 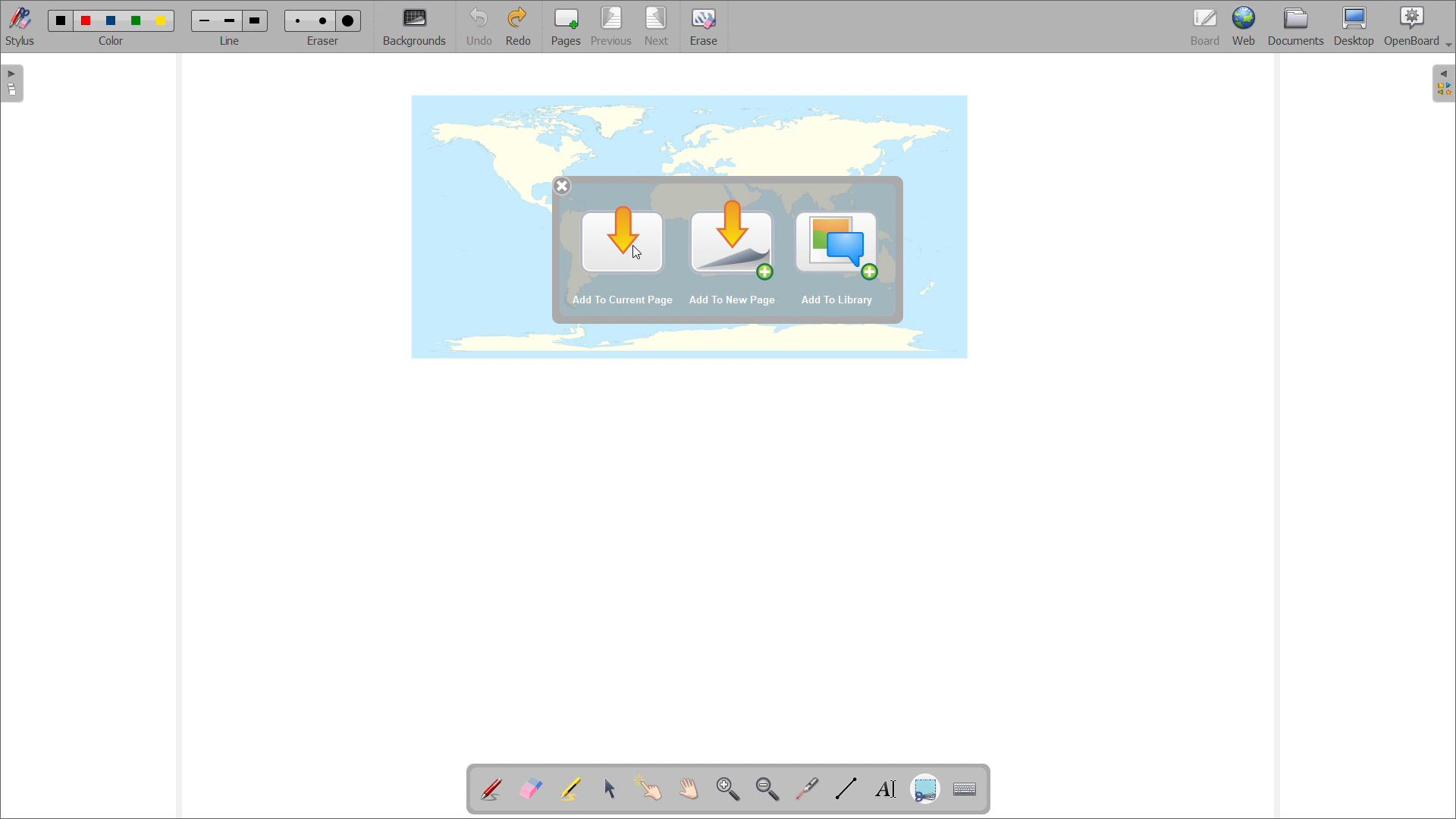 What do you see at coordinates (1444, 84) in the screenshot?
I see `open folder view` at bounding box center [1444, 84].